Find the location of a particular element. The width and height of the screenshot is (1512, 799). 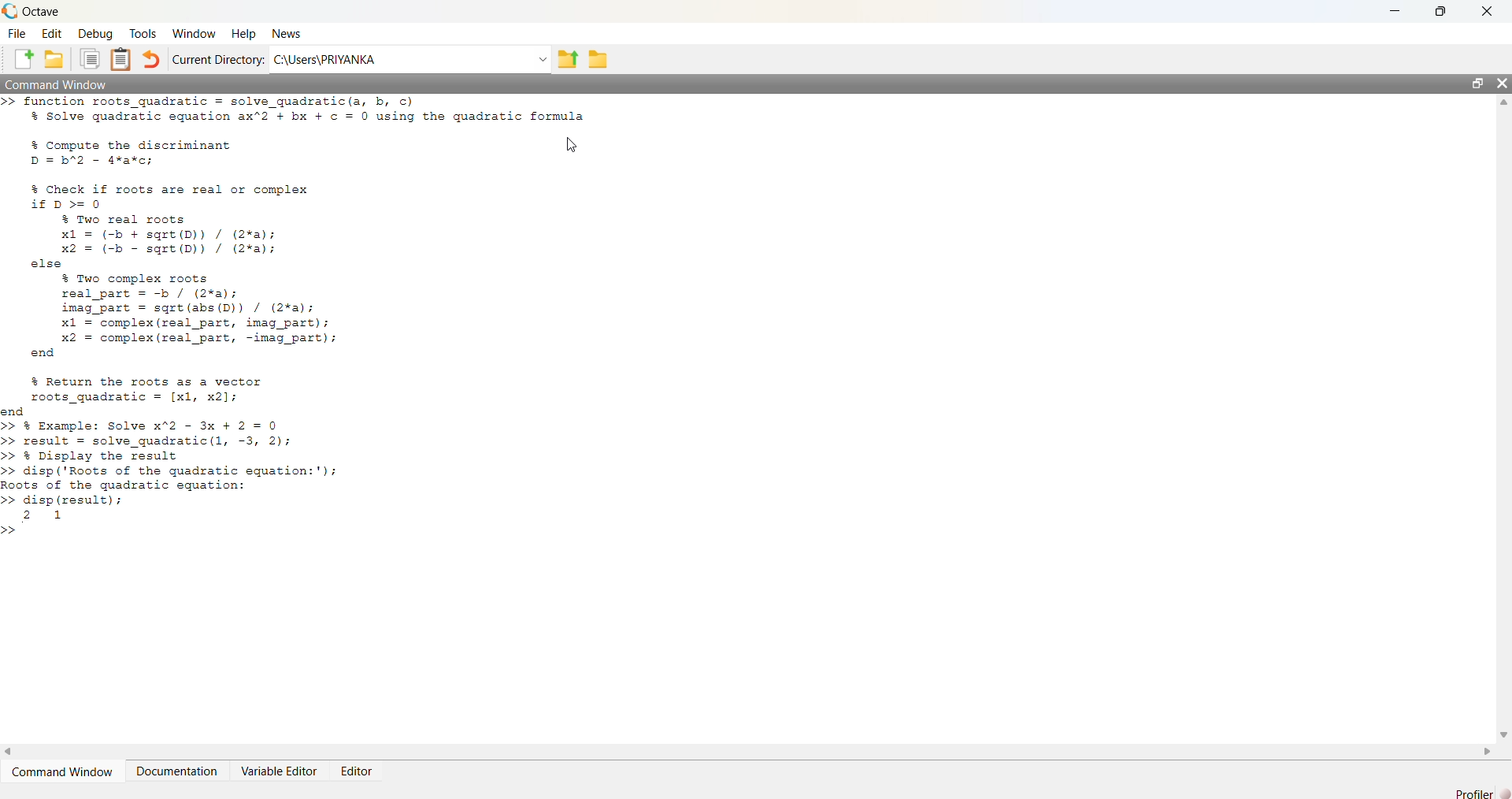

one directory up is located at coordinates (569, 58).